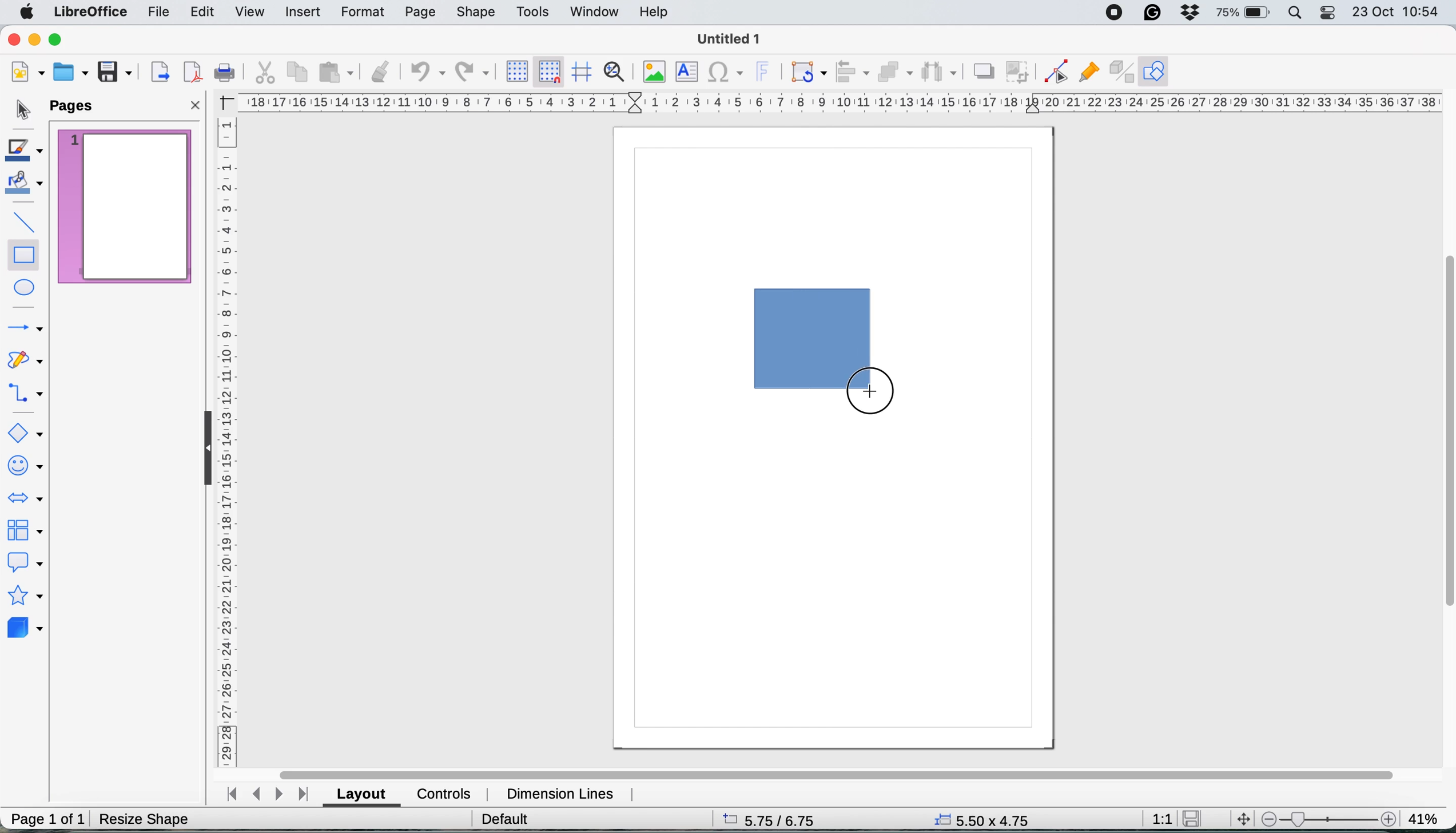 Image resolution: width=1456 pixels, height=833 pixels. I want to click on align objects, so click(852, 72).